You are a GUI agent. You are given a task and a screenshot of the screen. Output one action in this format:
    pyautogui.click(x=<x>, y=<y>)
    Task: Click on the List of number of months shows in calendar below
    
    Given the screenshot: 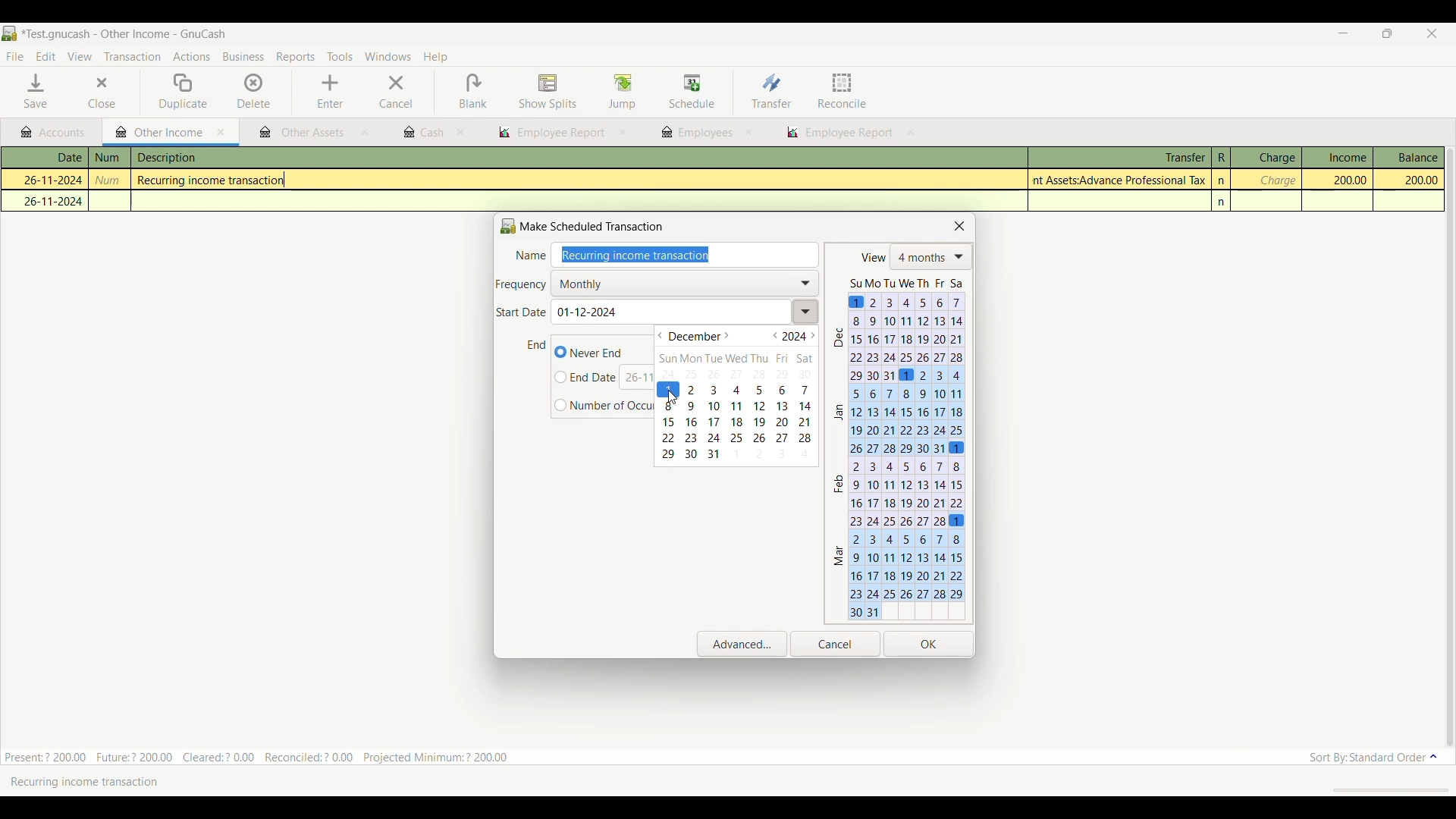 What is the action you would take?
    pyautogui.click(x=932, y=257)
    